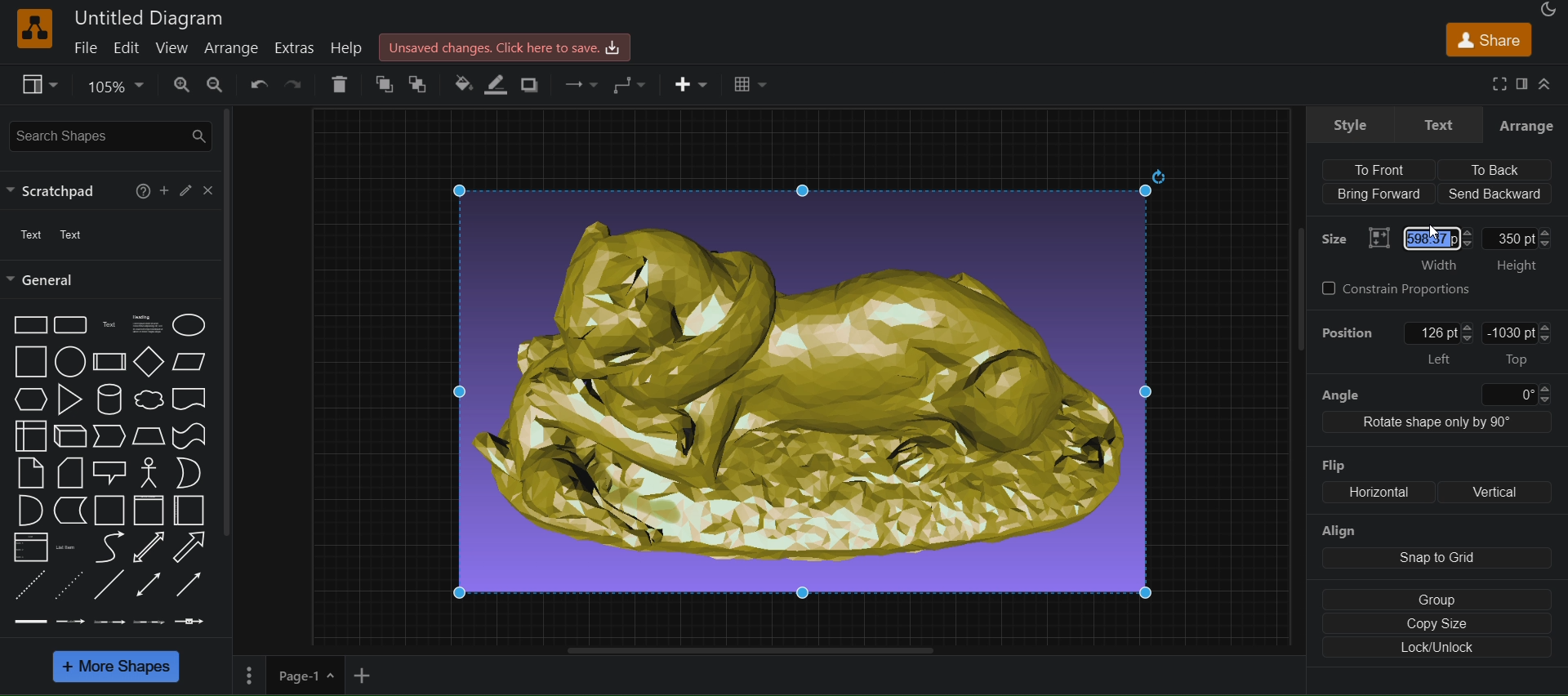  Describe the element at coordinates (378, 84) in the screenshot. I see `to front` at that location.